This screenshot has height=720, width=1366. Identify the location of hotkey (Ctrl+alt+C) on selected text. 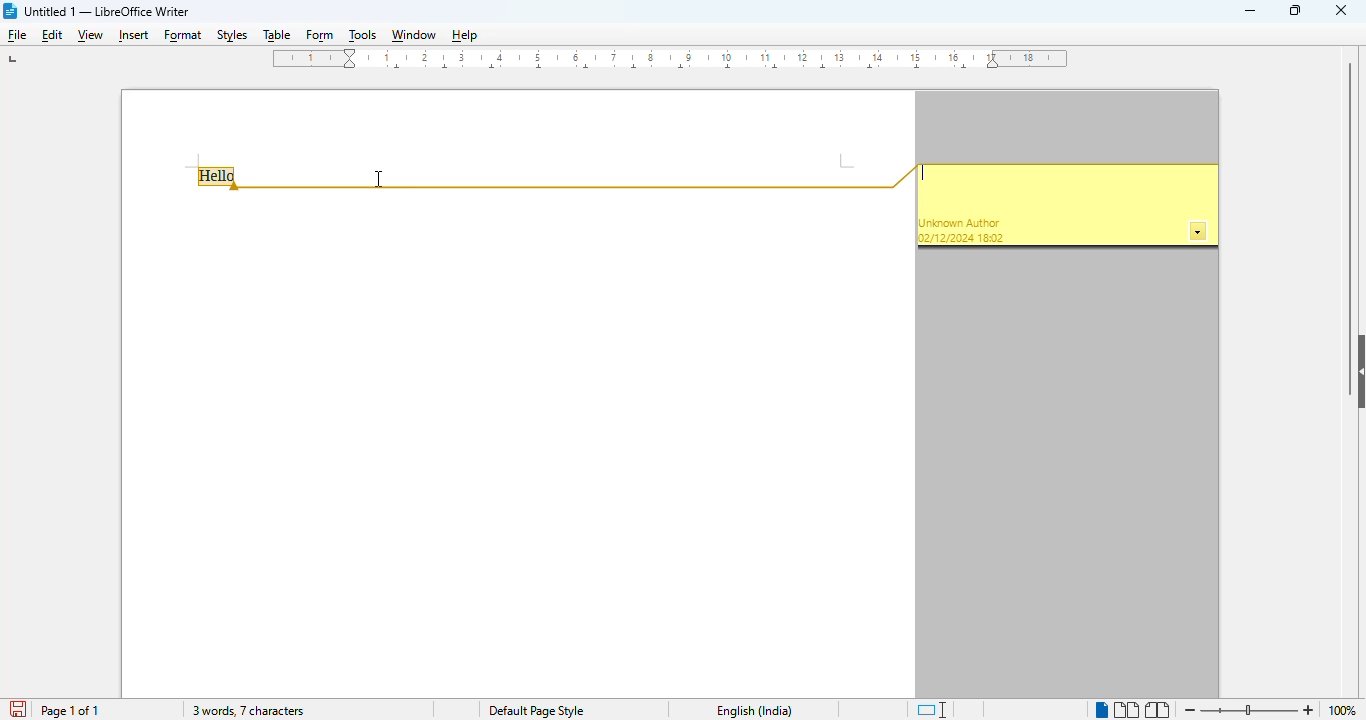
(220, 178).